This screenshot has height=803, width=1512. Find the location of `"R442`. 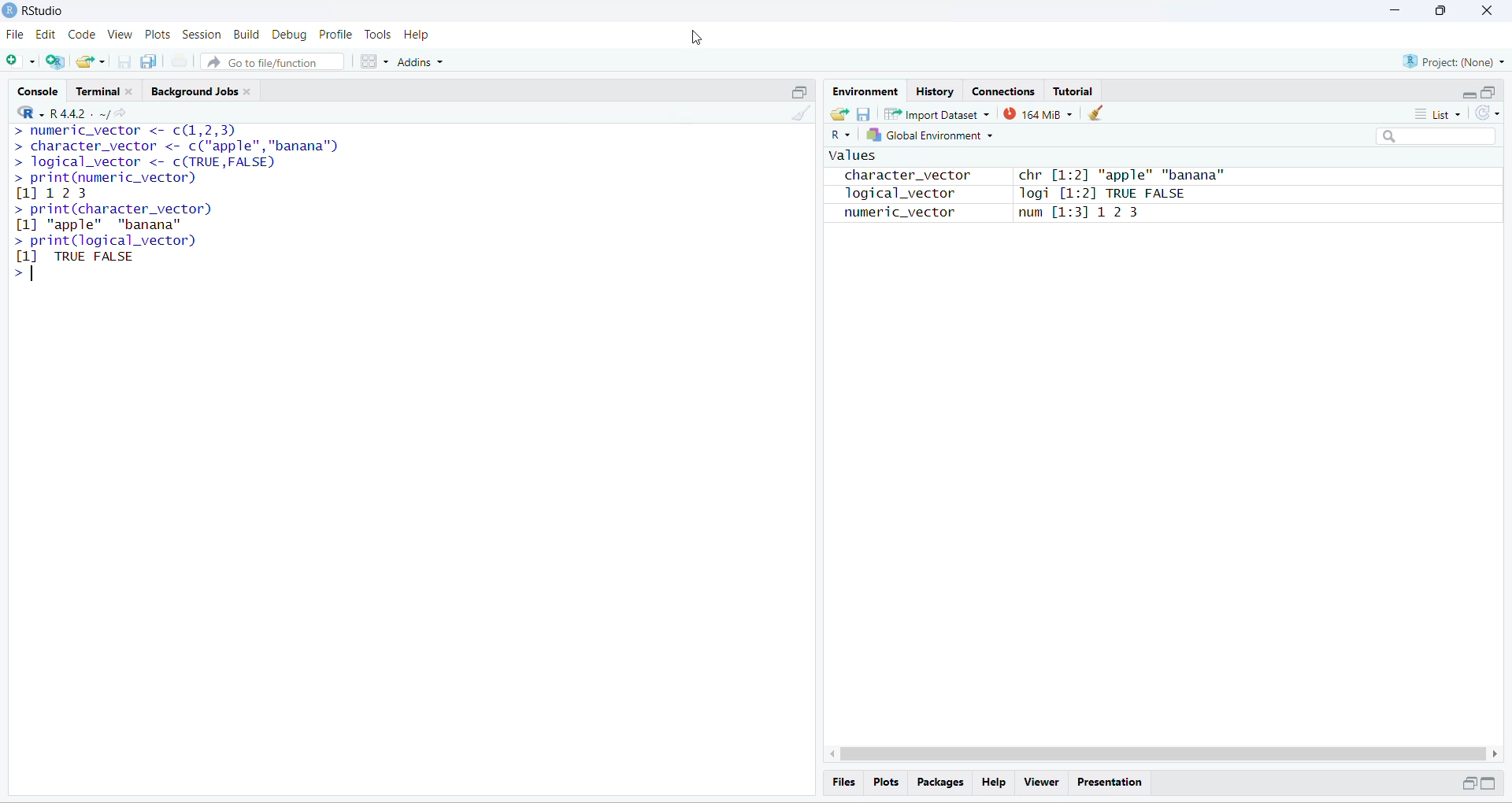

"R442 is located at coordinates (51, 113).